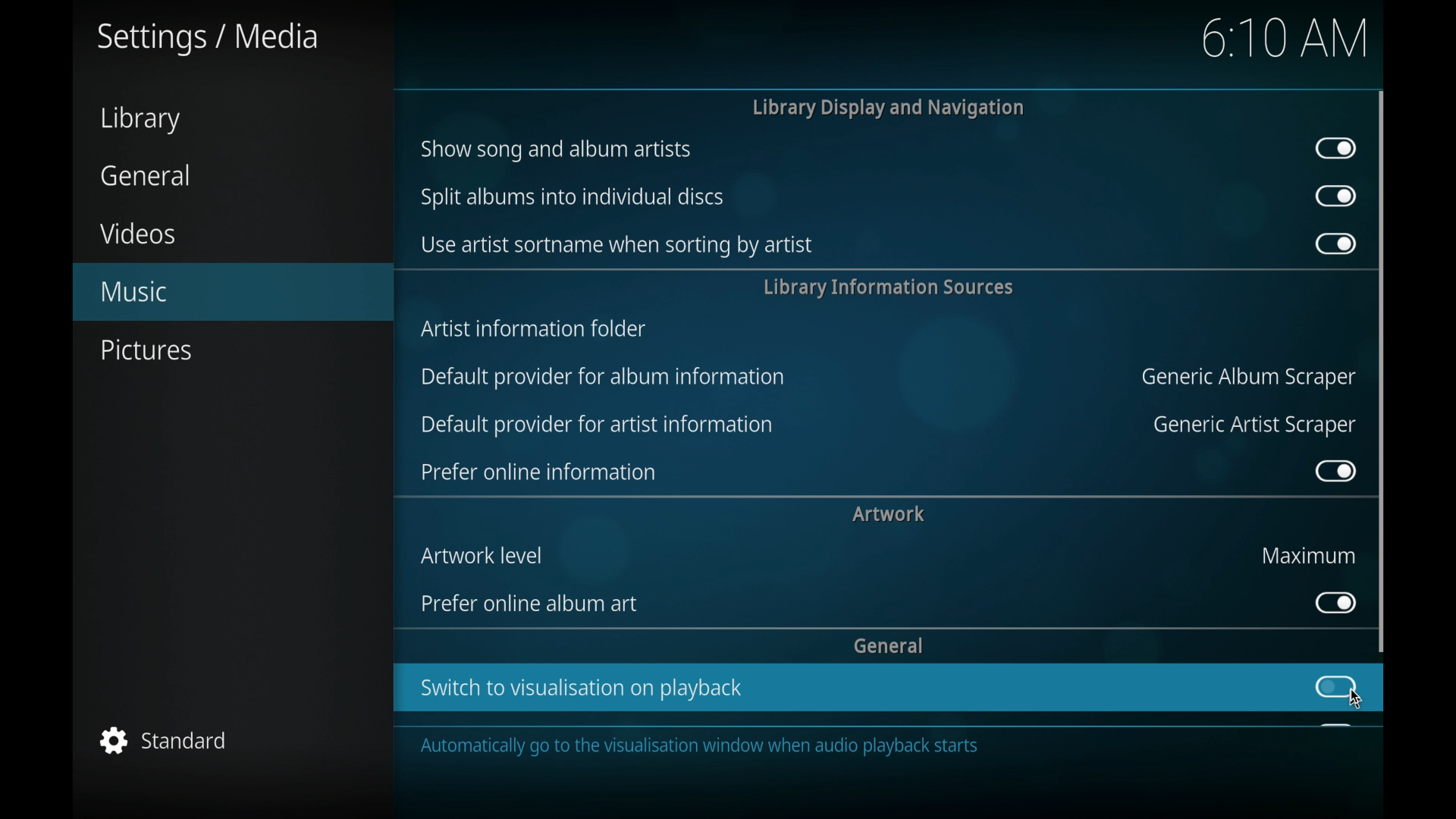  Describe the element at coordinates (1336, 149) in the screenshot. I see `toggle button` at that location.